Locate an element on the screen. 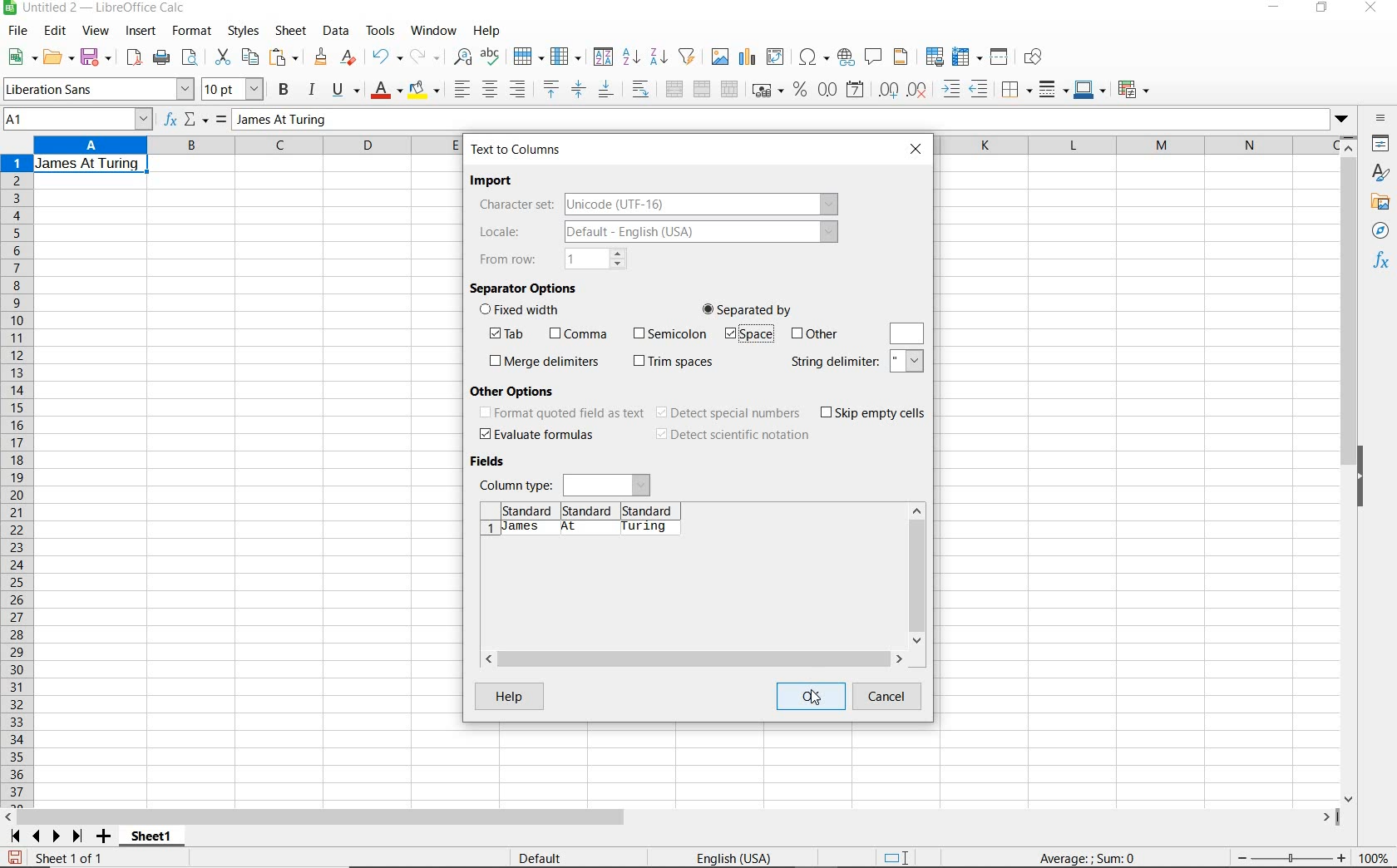 This screenshot has height=868, width=1397. column type is located at coordinates (565, 484).